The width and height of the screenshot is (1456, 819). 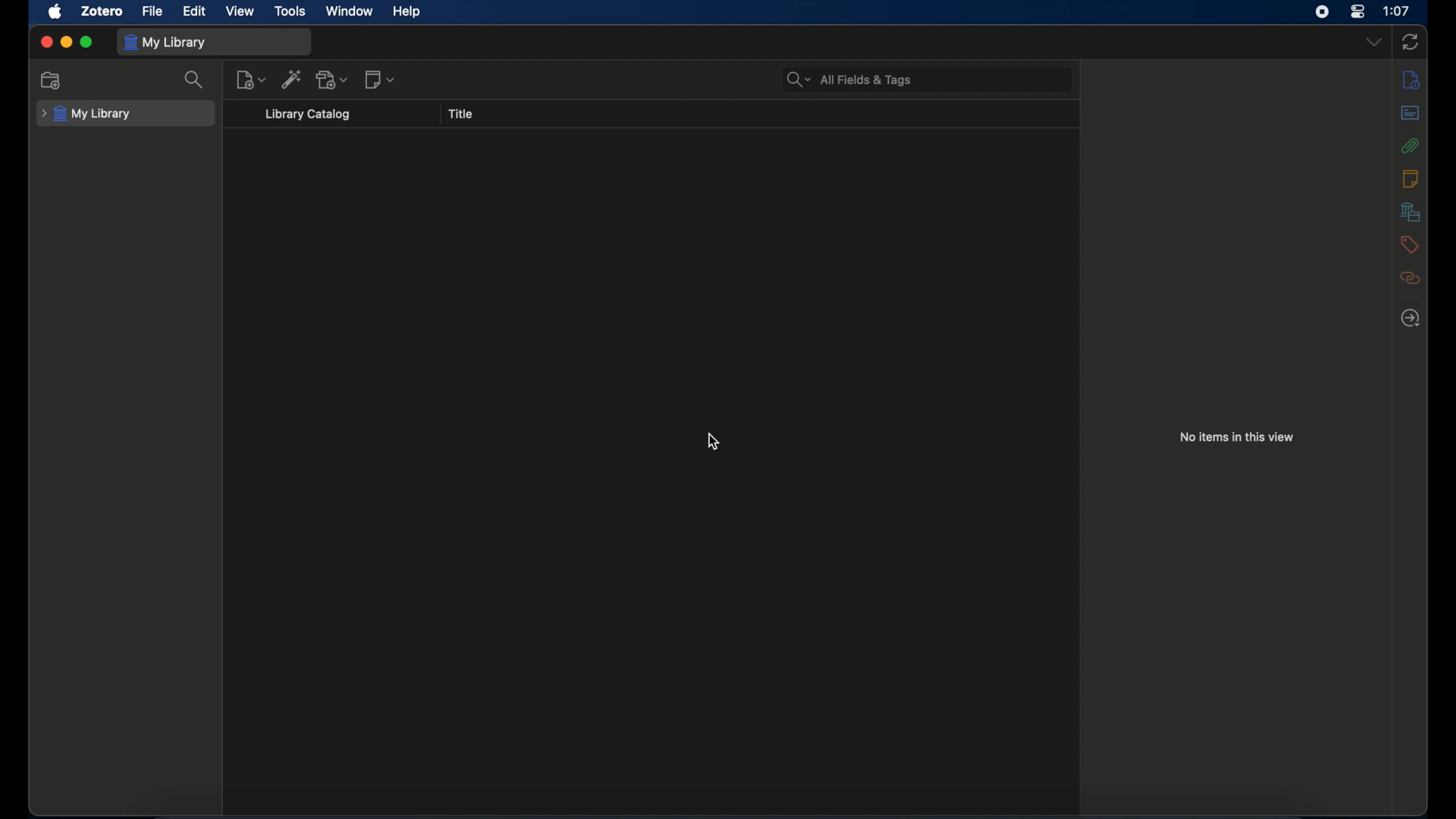 What do you see at coordinates (1375, 42) in the screenshot?
I see `dropdown` at bounding box center [1375, 42].